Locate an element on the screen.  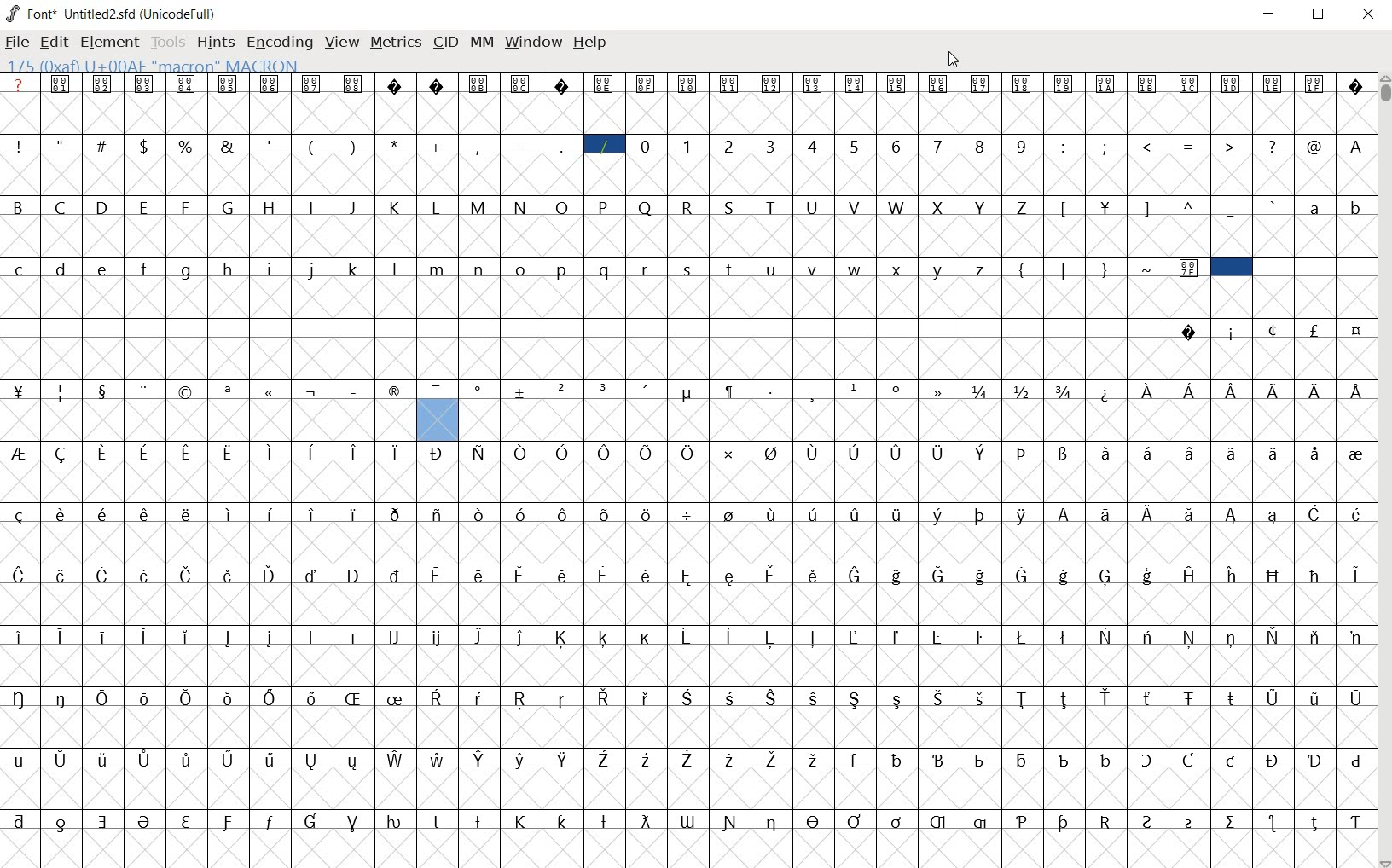
% is located at coordinates (187, 144).